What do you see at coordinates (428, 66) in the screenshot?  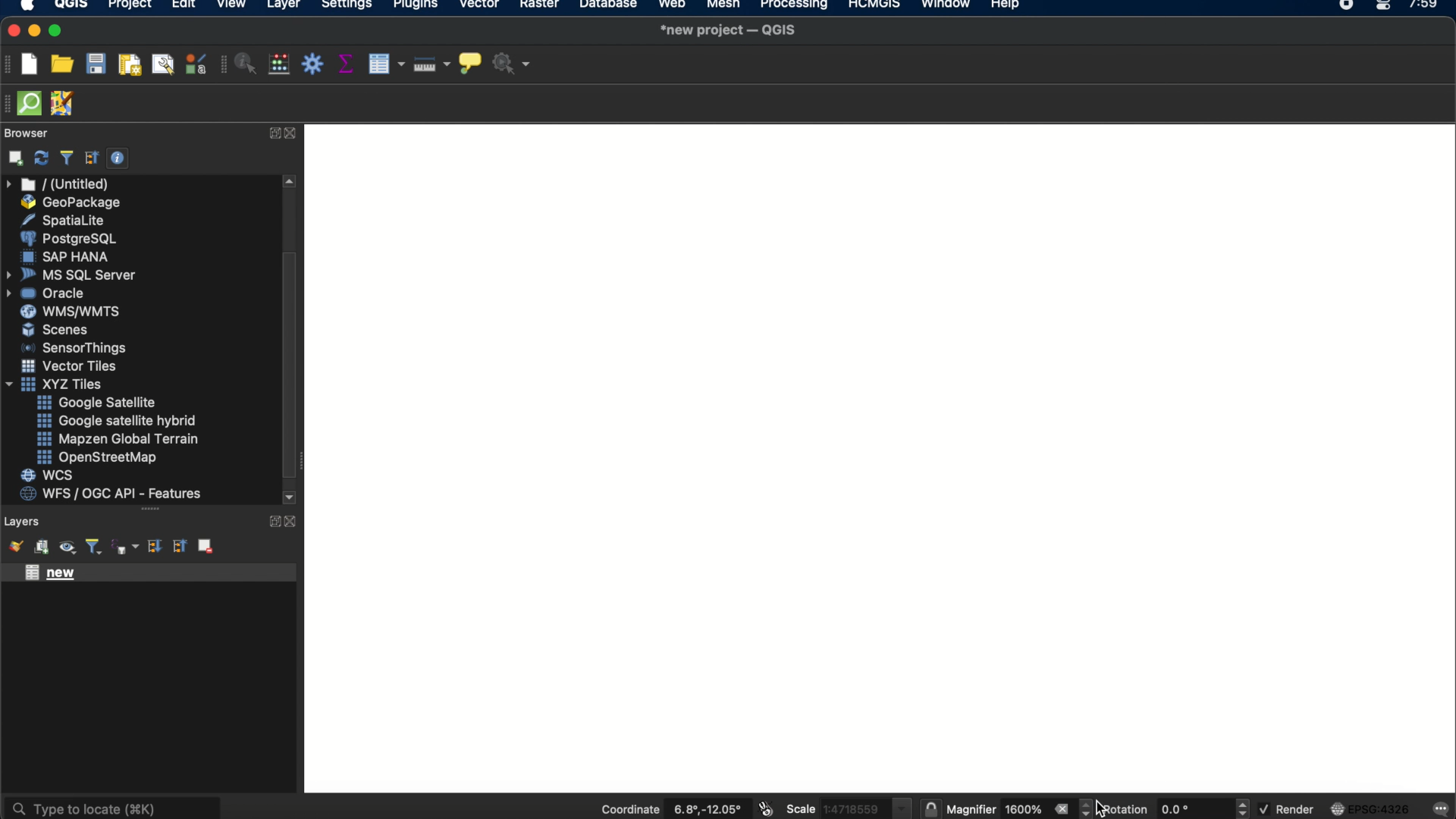 I see `MEASURE LINE` at bounding box center [428, 66].